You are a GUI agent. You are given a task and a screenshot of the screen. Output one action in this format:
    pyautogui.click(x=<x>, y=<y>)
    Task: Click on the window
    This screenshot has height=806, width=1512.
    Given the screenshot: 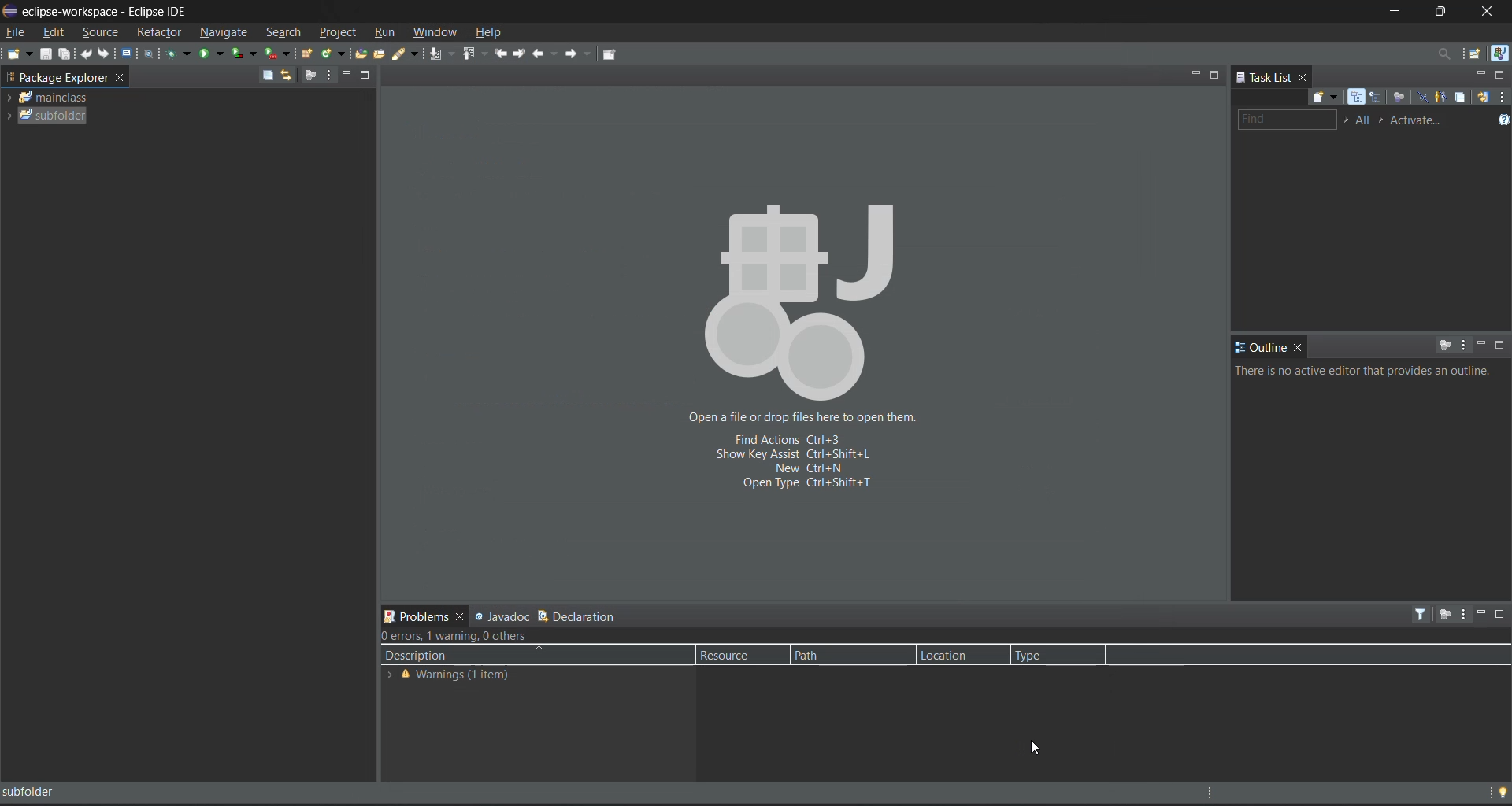 What is the action you would take?
    pyautogui.click(x=437, y=32)
    